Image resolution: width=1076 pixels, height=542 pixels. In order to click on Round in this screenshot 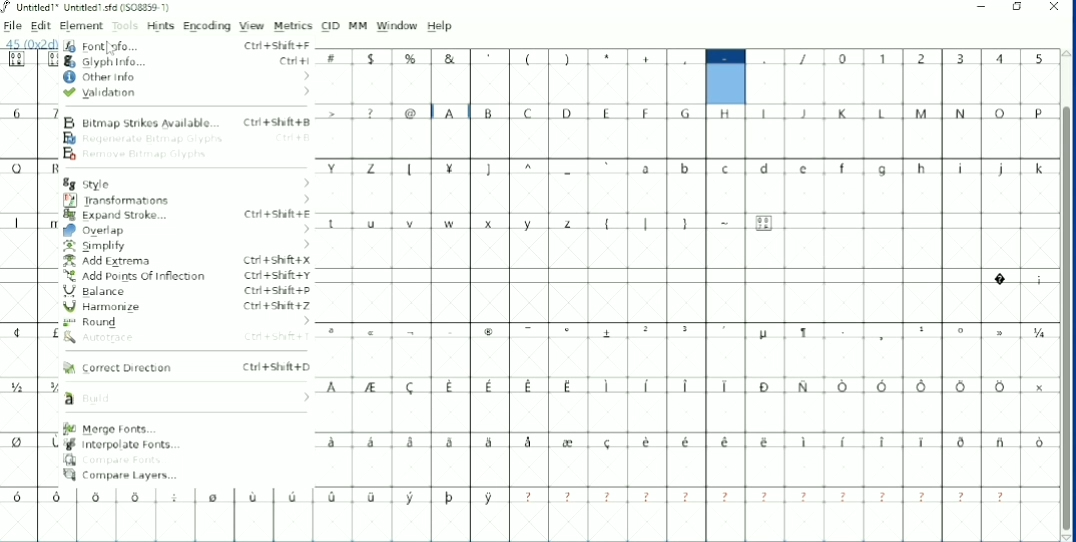, I will do `click(184, 323)`.